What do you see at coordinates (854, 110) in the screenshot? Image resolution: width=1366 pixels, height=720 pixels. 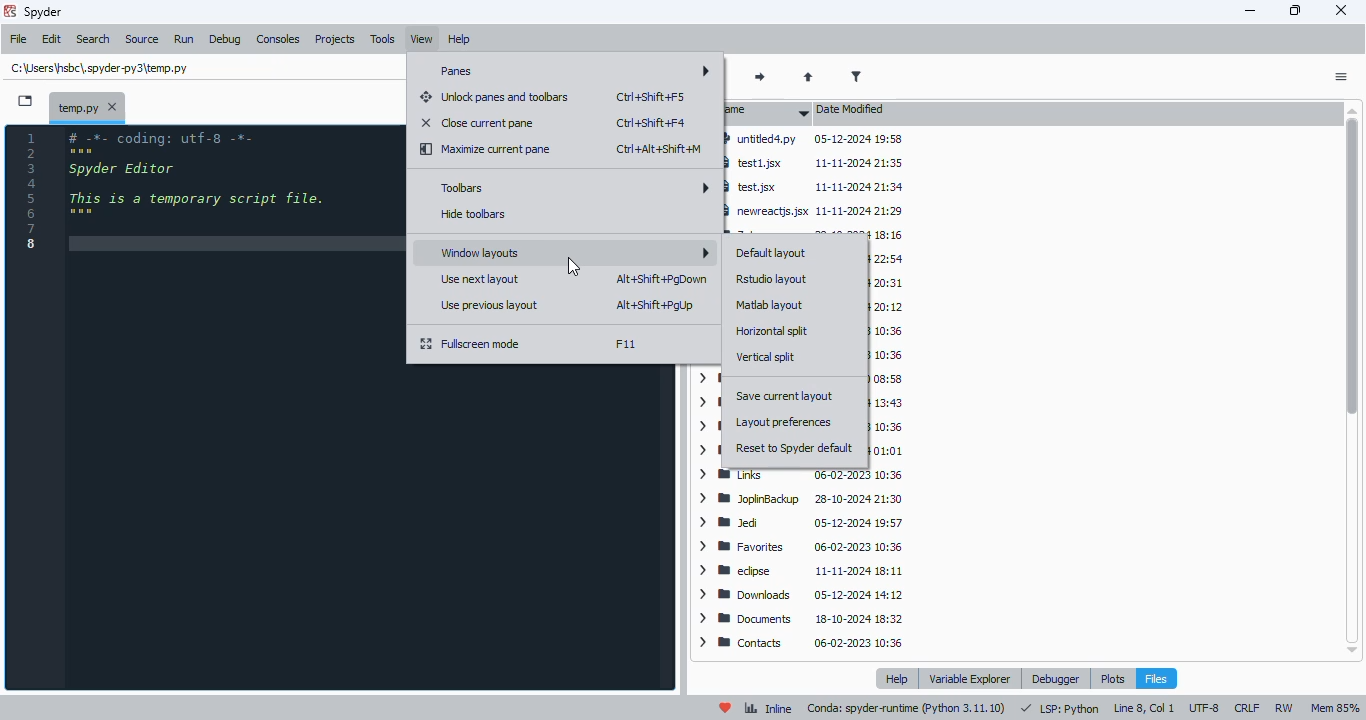 I see `date modified` at bounding box center [854, 110].